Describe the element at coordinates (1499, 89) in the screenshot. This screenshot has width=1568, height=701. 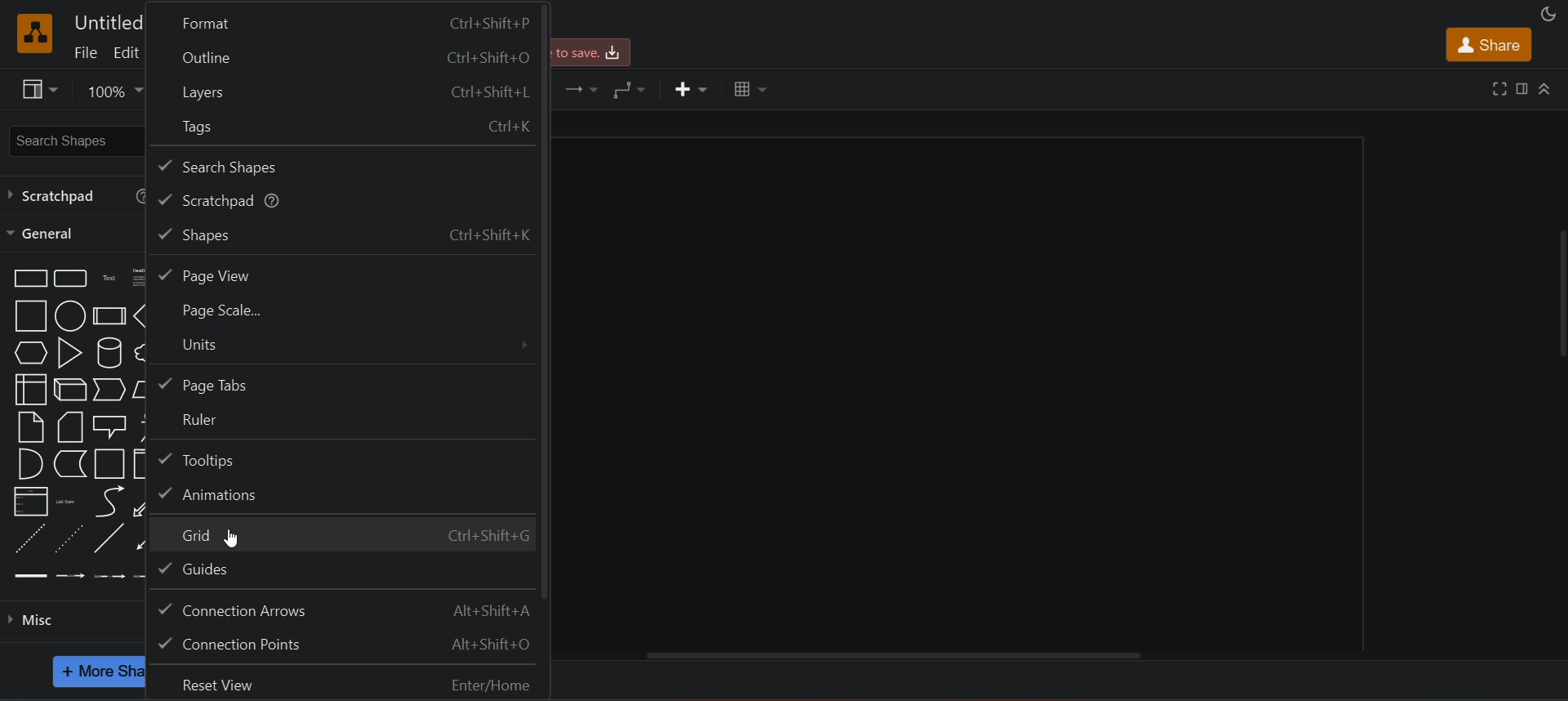
I see `fullscreen` at that location.